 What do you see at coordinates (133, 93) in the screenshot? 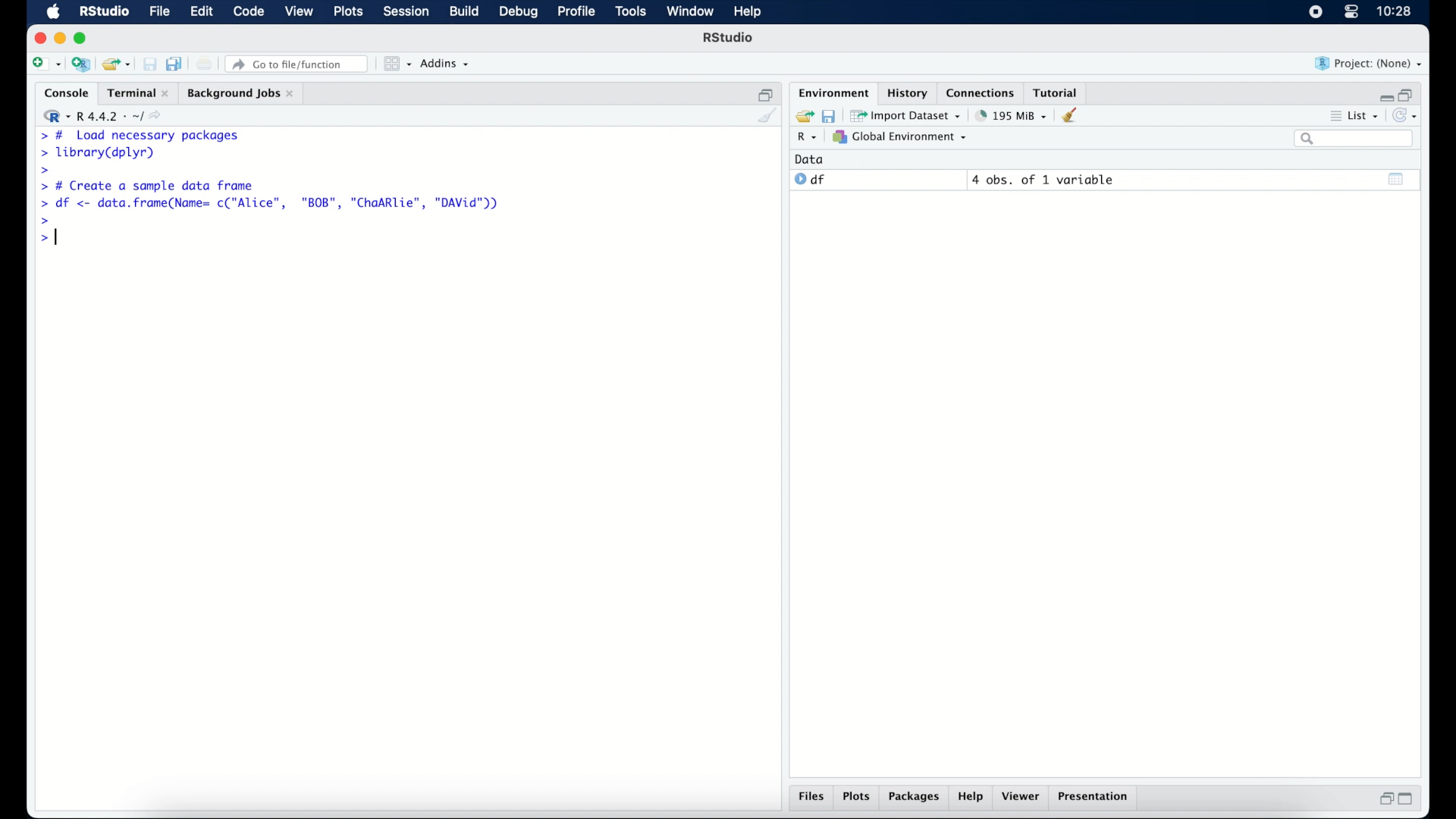
I see `Terminal` at bounding box center [133, 93].